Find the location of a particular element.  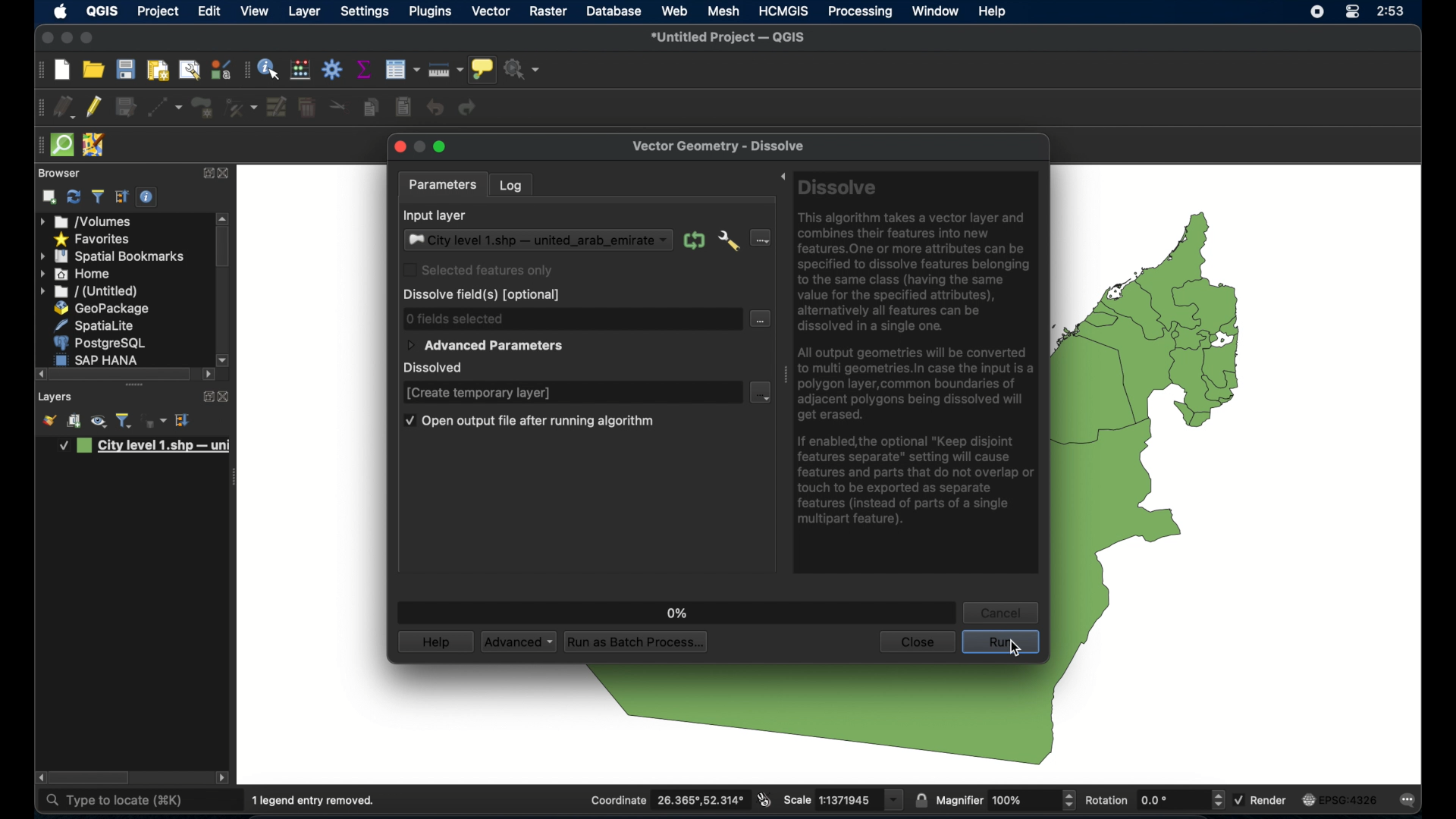

HCMGIS is located at coordinates (784, 11).